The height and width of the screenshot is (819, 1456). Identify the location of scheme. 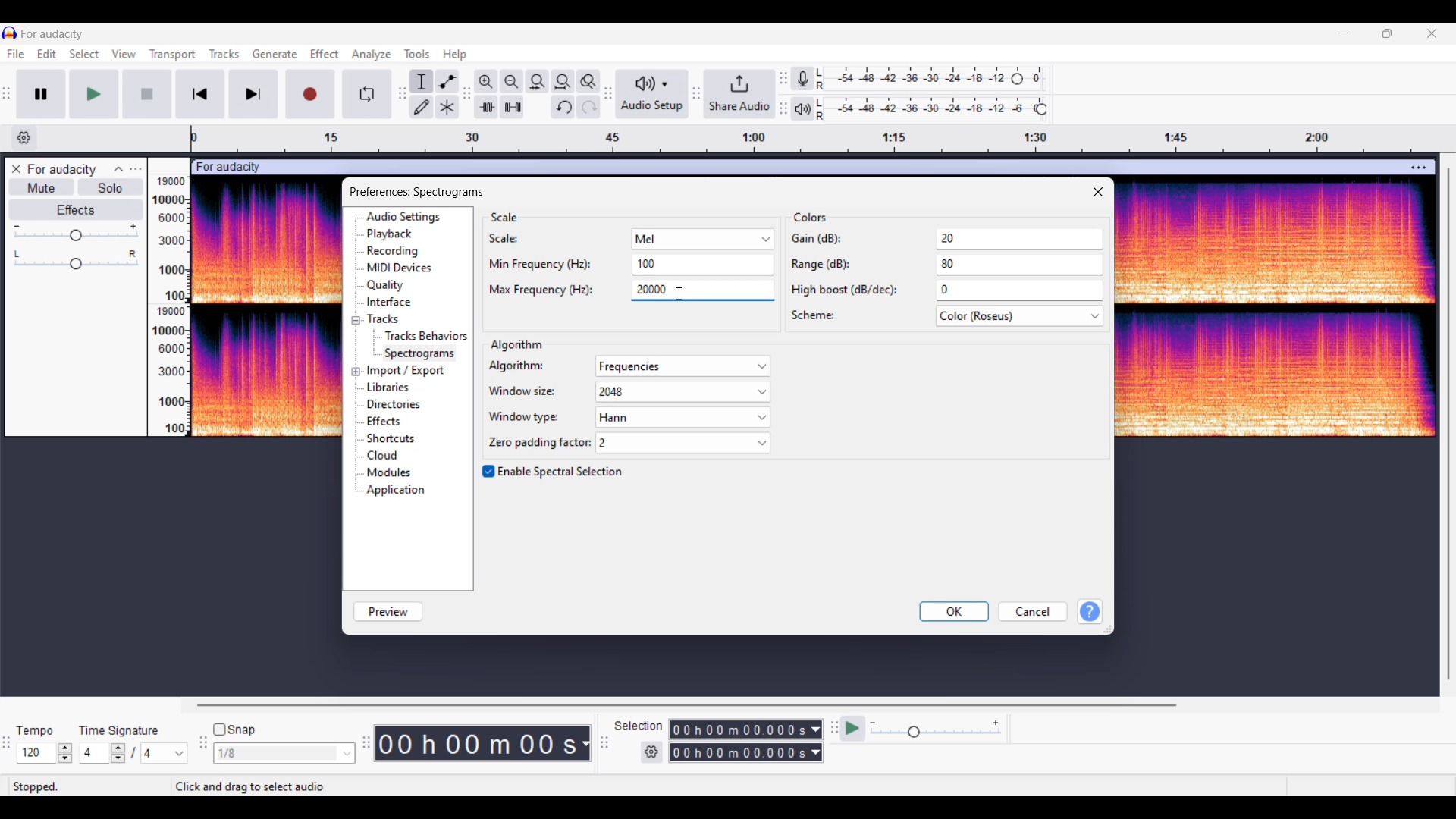
(946, 318).